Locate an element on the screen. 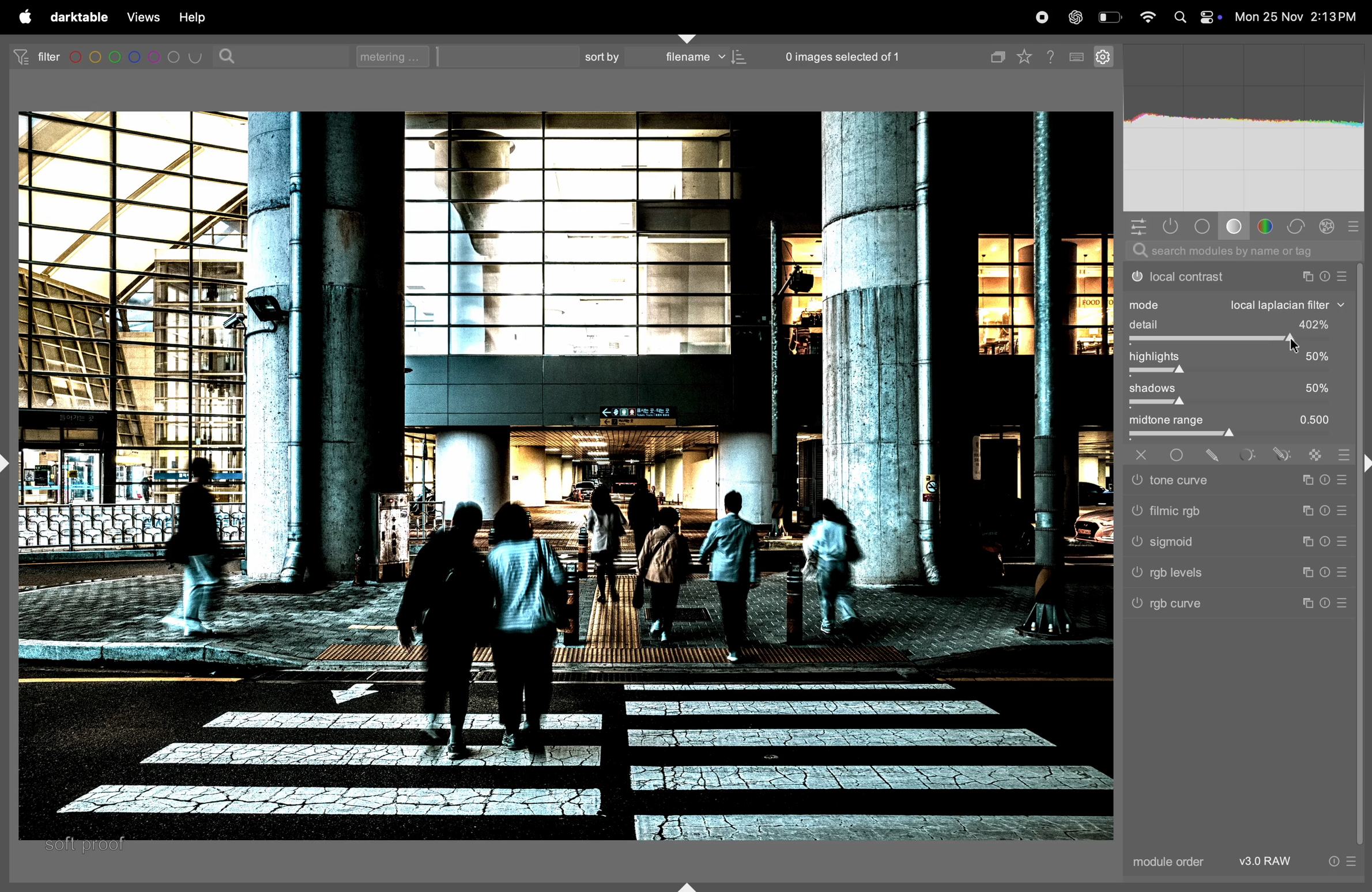 The width and height of the screenshot is (1372, 892). sigmoid is located at coordinates (1229, 542).